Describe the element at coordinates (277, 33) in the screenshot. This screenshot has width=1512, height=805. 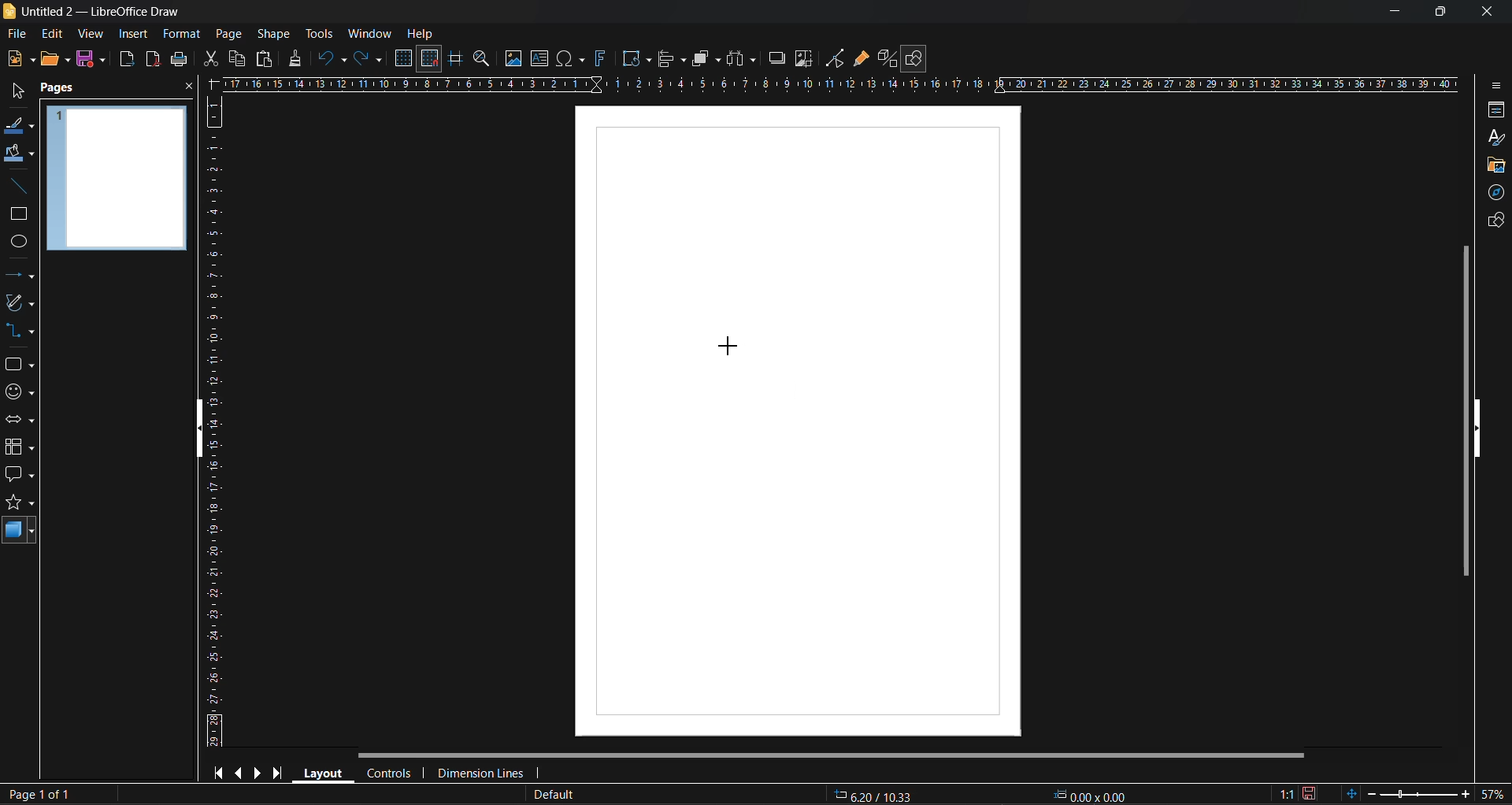
I see `shape` at that location.